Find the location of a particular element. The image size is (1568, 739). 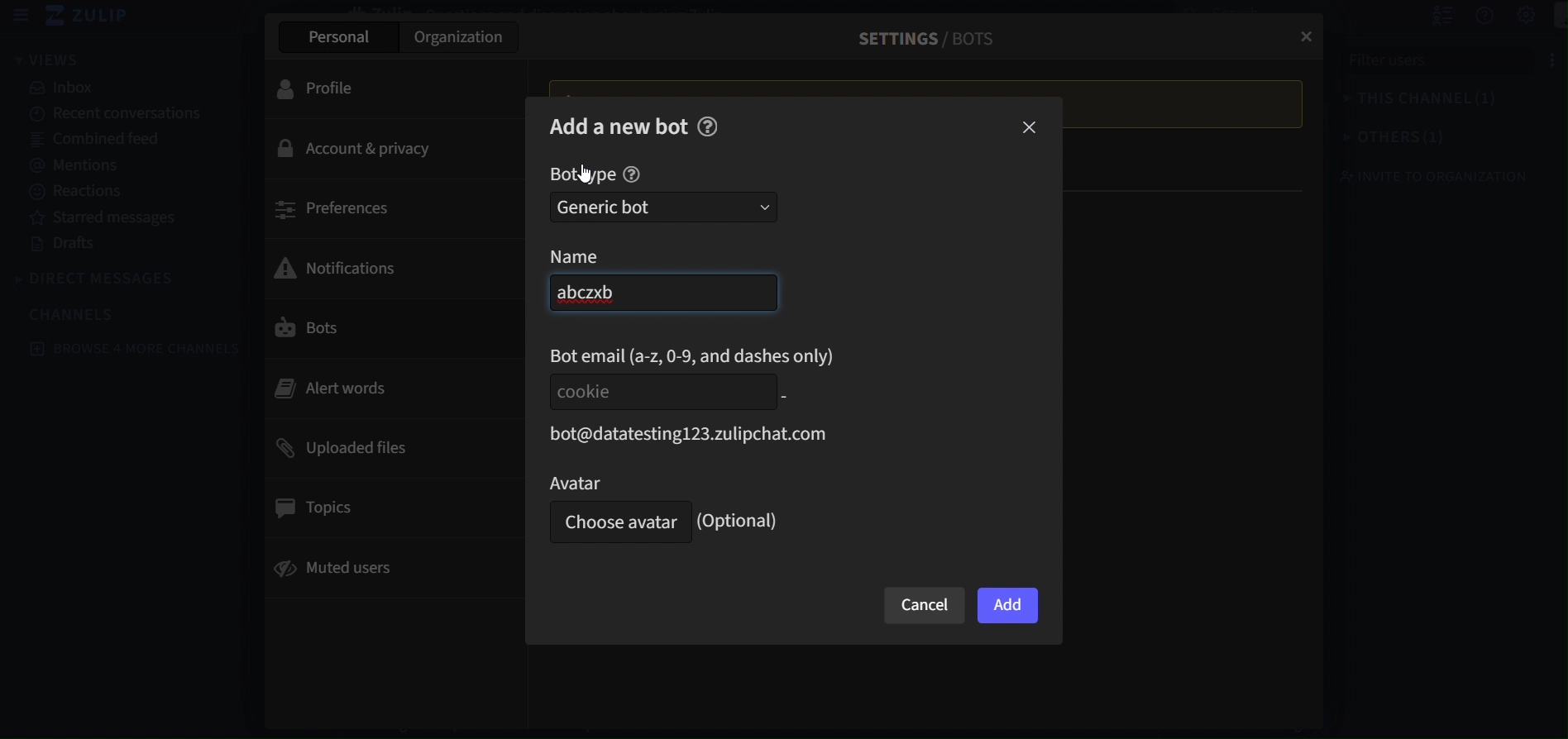

settings/ Bots is located at coordinates (918, 38).